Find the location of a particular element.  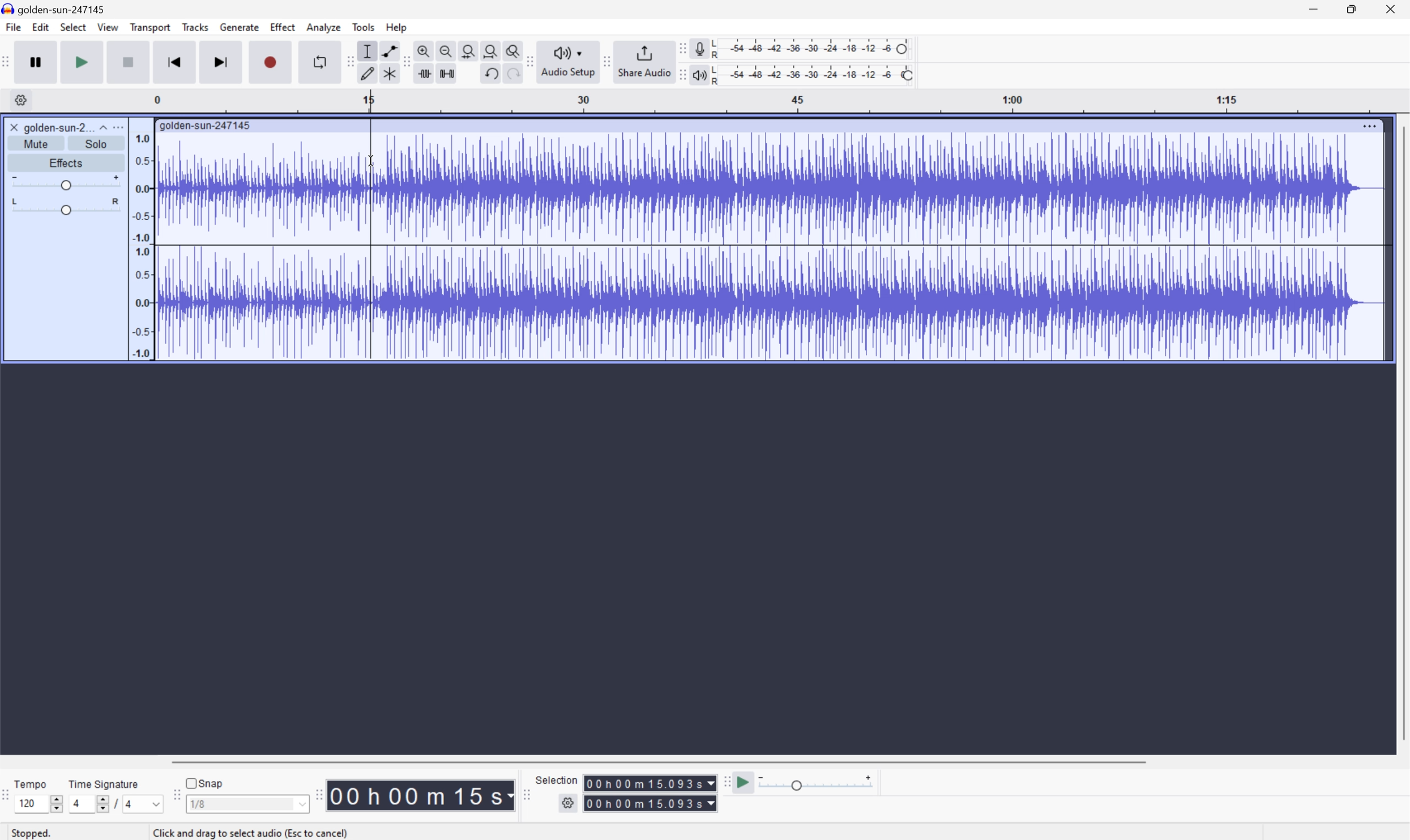

Drop Down is located at coordinates (301, 806).